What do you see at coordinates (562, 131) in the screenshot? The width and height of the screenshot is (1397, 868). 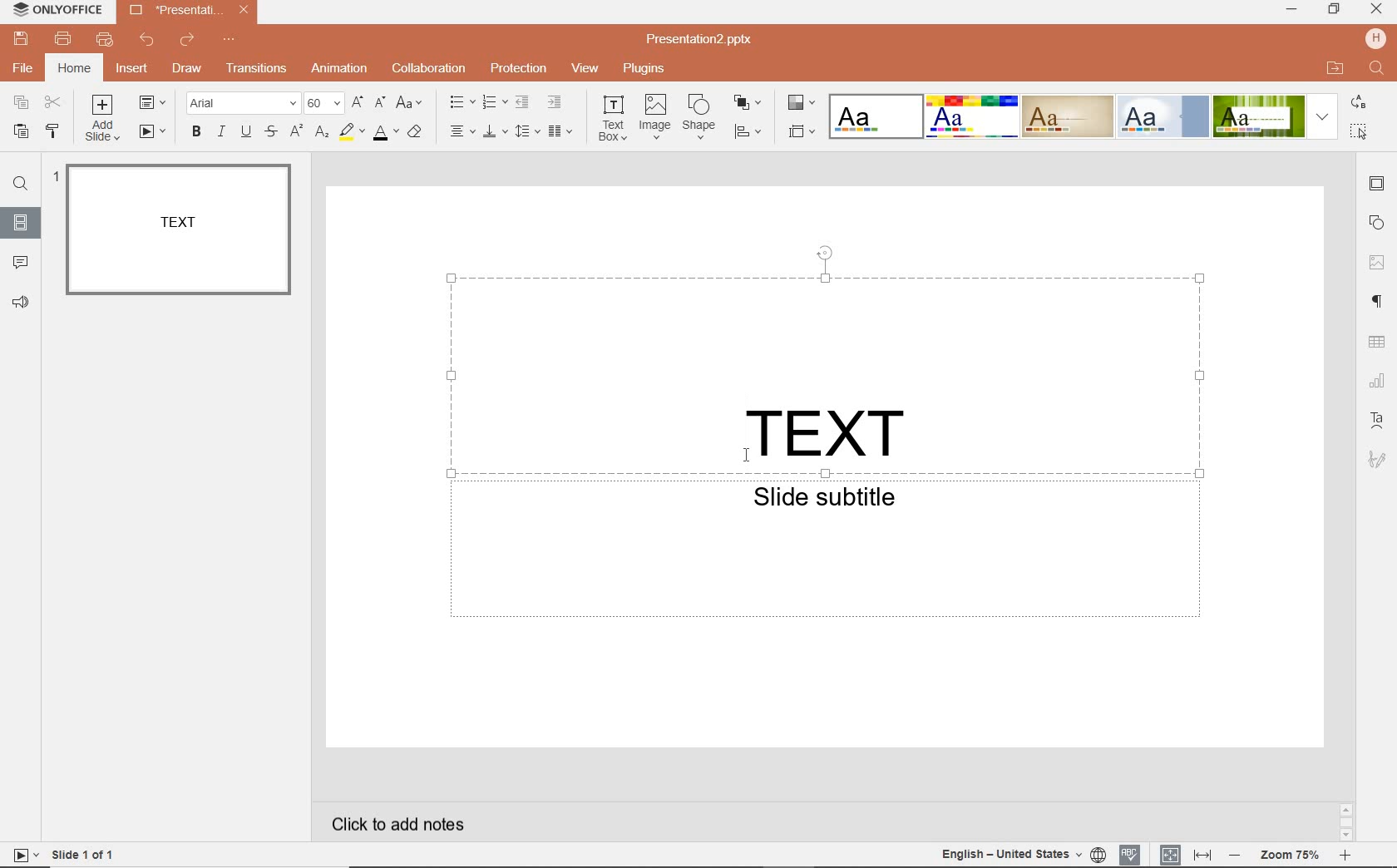 I see `insert columns` at bounding box center [562, 131].